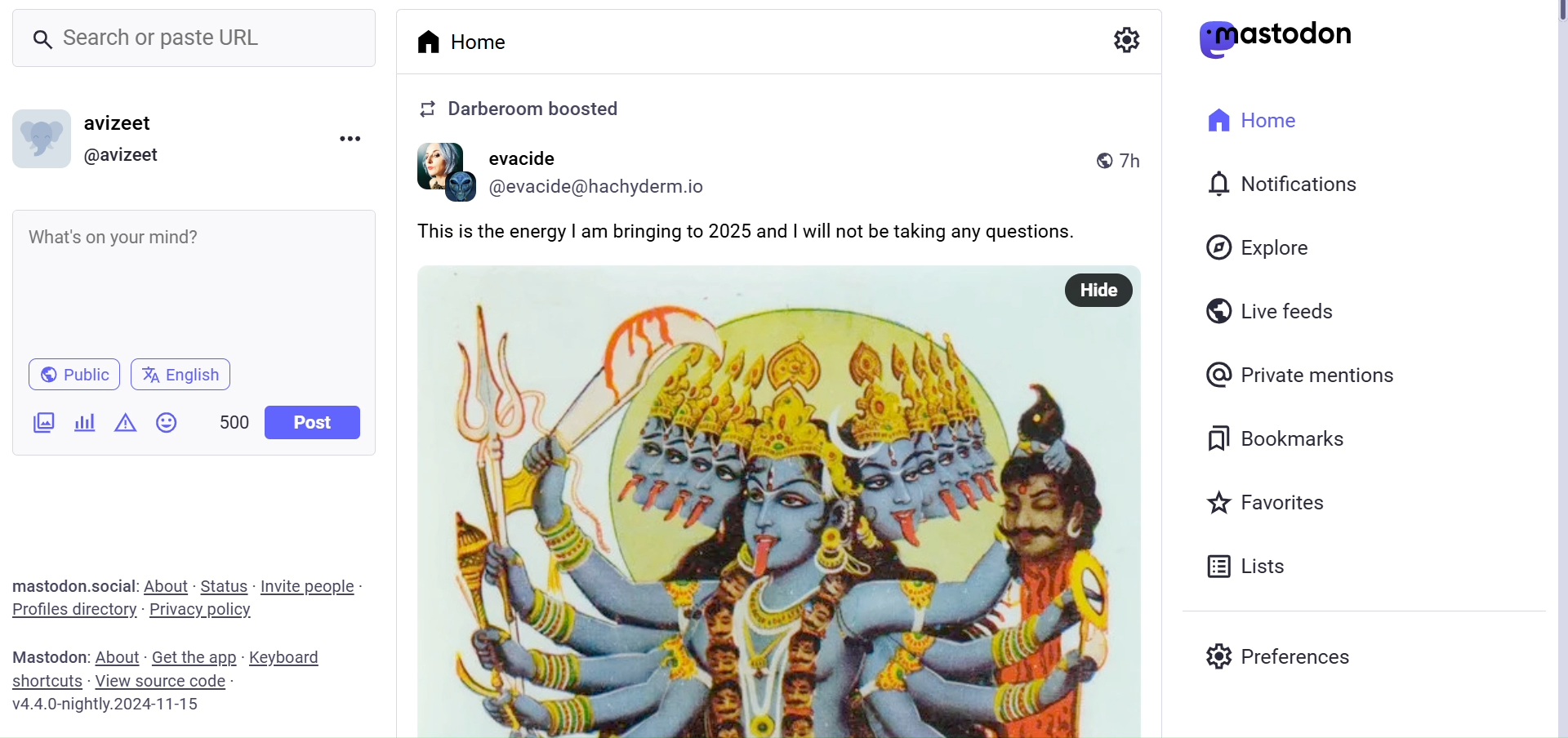 The image size is (1568, 738). I want to click on Notifications, so click(1283, 185).